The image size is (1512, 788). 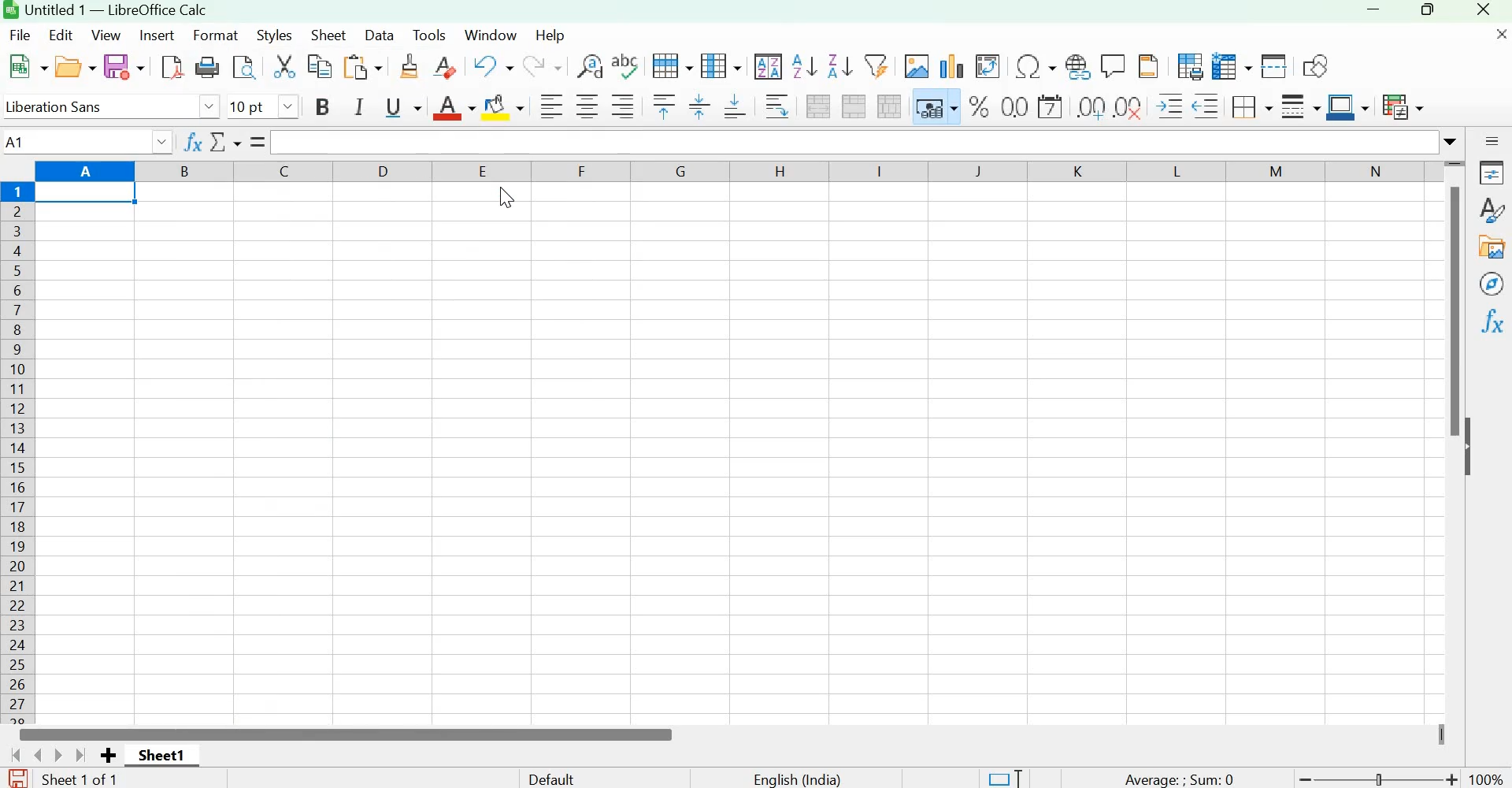 What do you see at coordinates (662, 107) in the screenshot?
I see `Align top` at bounding box center [662, 107].